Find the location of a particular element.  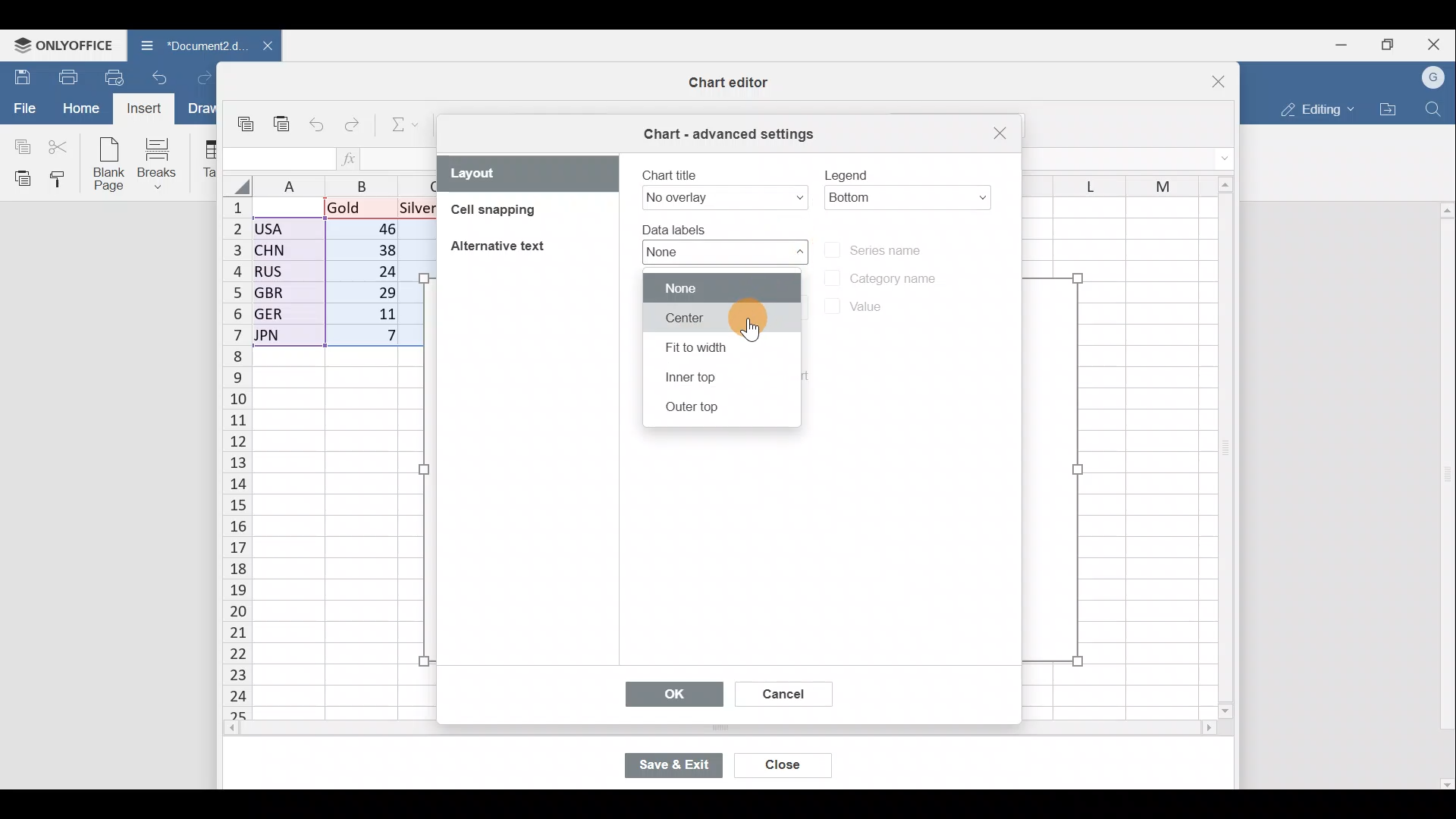

Layout is located at coordinates (529, 173).